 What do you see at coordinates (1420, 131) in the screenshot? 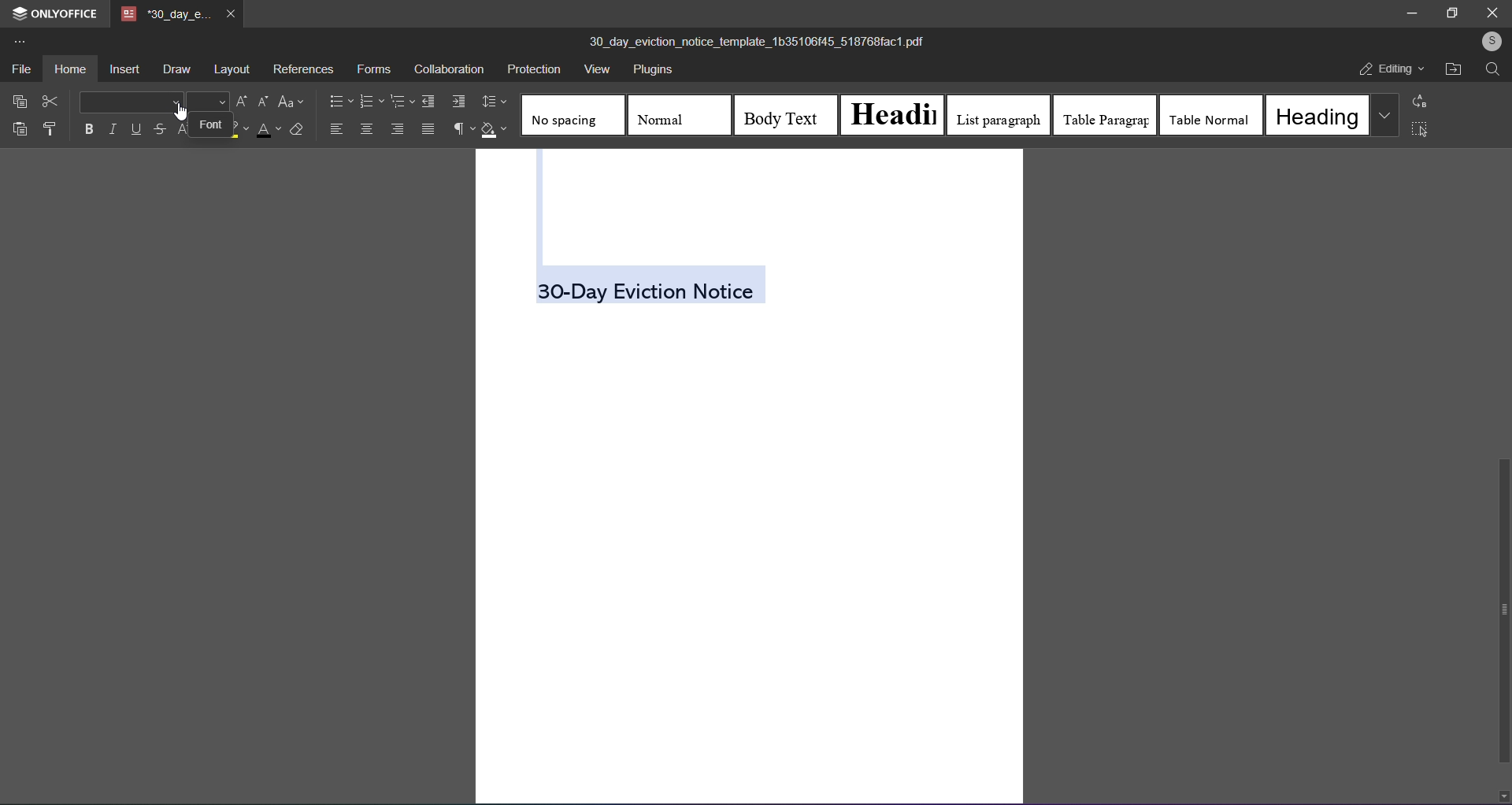
I see `select all` at bounding box center [1420, 131].